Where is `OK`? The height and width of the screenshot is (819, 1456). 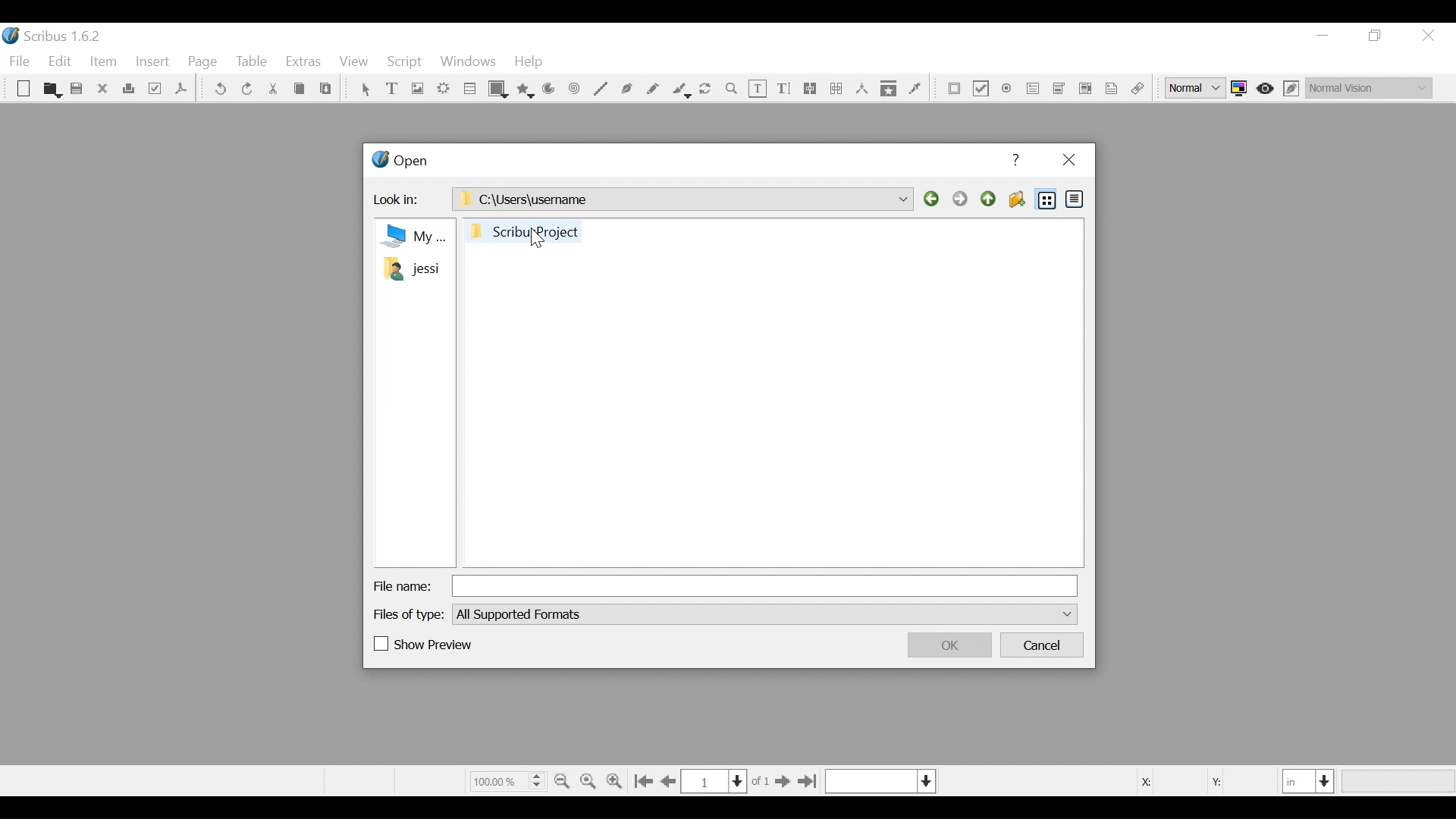
OK is located at coordinates (947, 645).